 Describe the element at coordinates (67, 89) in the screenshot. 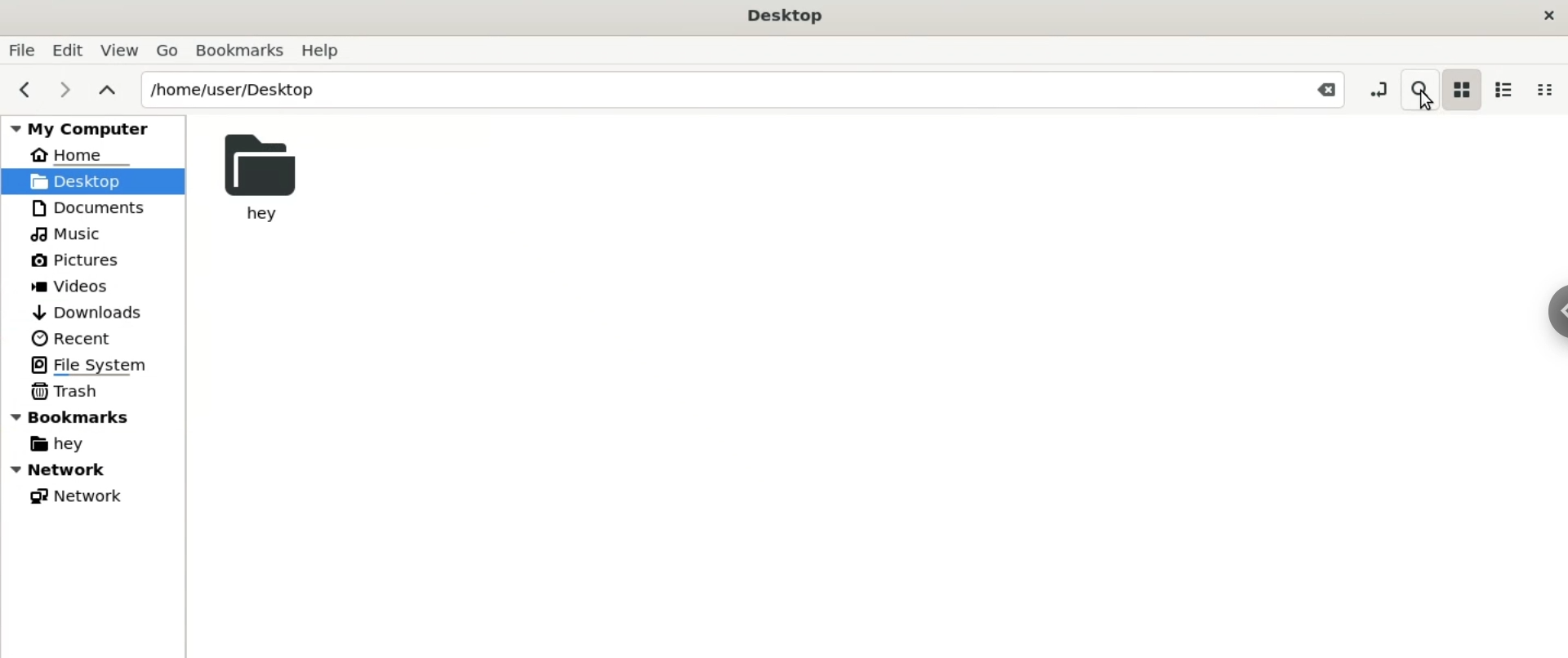

I see `next` at that location.